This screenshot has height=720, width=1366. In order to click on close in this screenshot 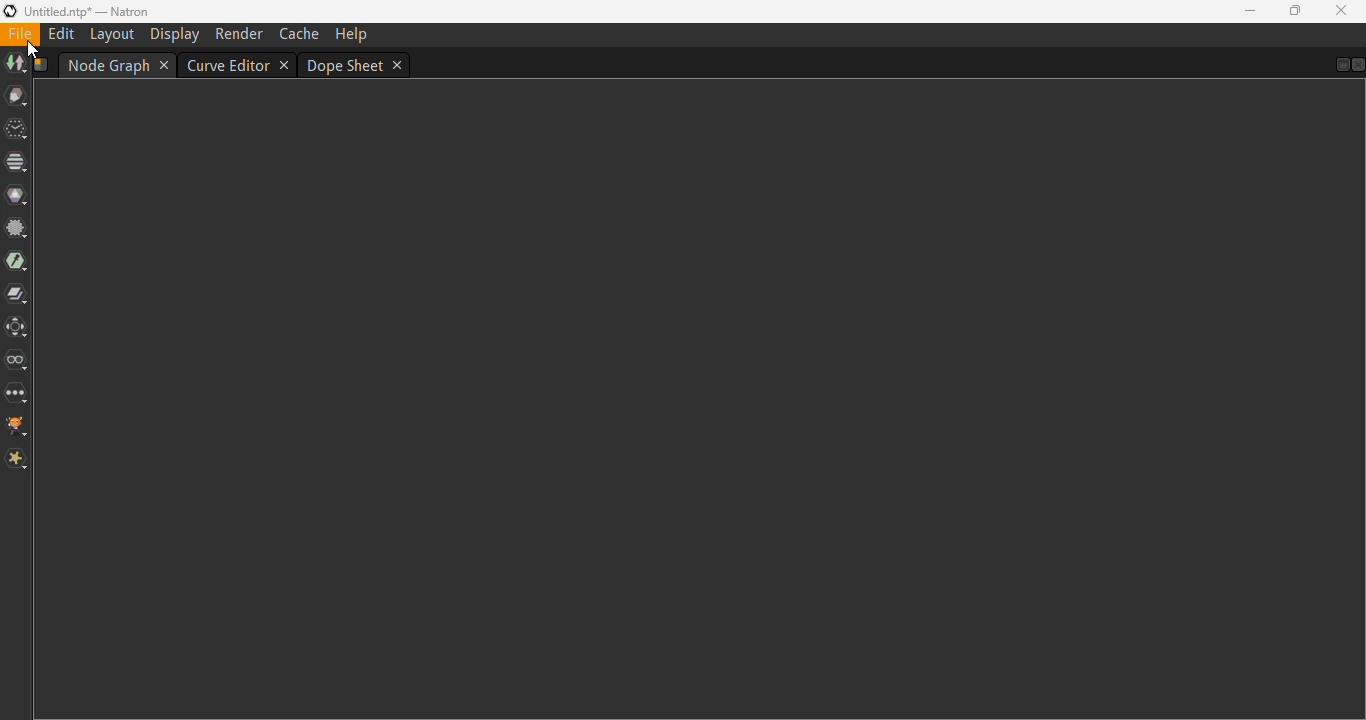, I will do `click(1341, 10)`.